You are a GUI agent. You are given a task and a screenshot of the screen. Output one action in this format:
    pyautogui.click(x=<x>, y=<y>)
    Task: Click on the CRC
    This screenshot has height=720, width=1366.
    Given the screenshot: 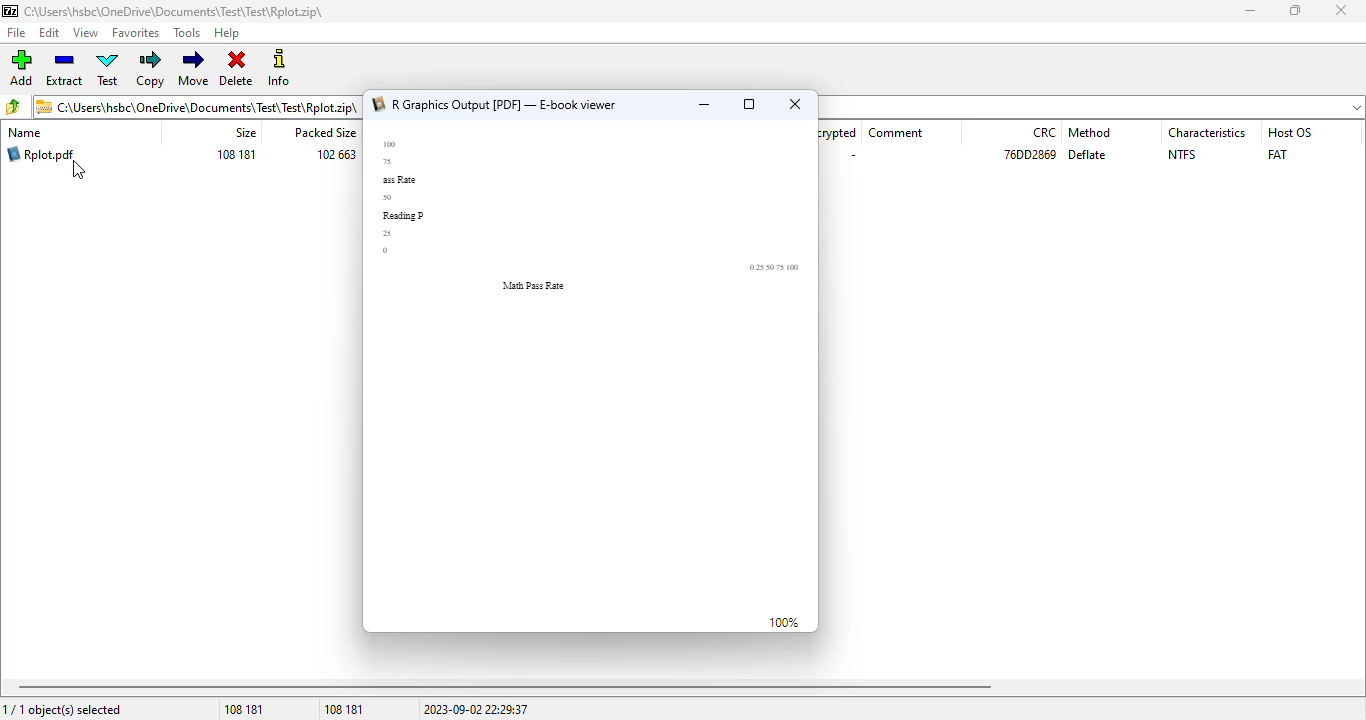 What is the action you would take?
    pyautogui.click(x=1045, y=132)
    